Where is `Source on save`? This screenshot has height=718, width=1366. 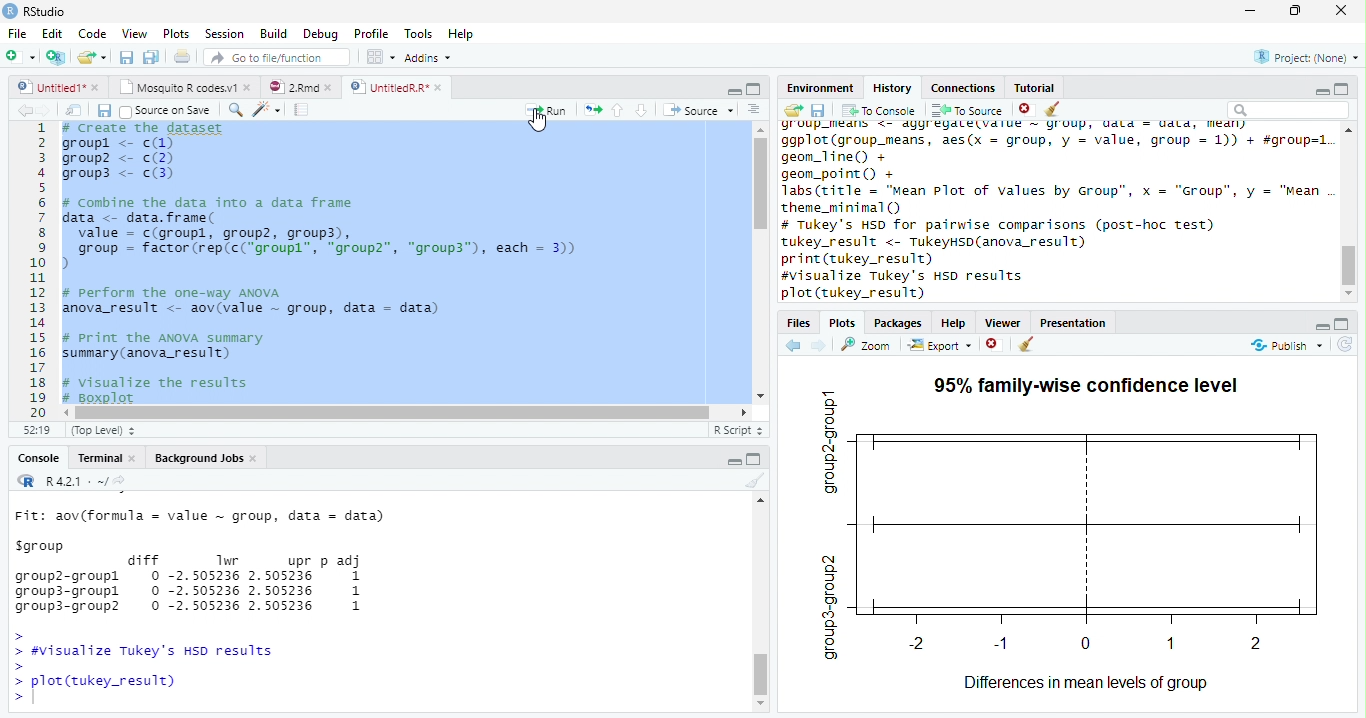
Source on save is located at coordinates (169, 111).